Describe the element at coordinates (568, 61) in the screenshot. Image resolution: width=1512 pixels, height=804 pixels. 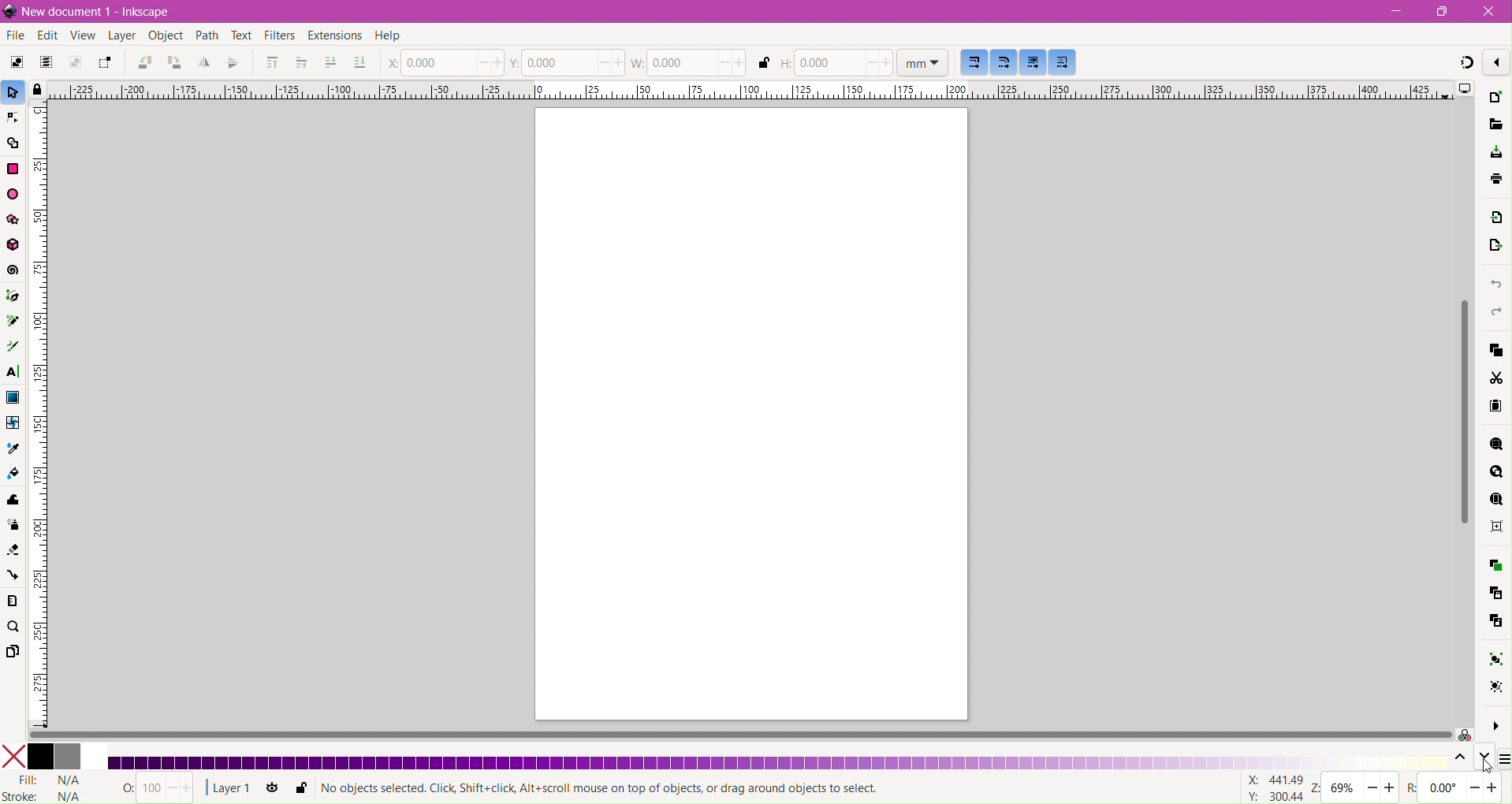
I see `Set the position of Y coordinate of the cursor` at that location.